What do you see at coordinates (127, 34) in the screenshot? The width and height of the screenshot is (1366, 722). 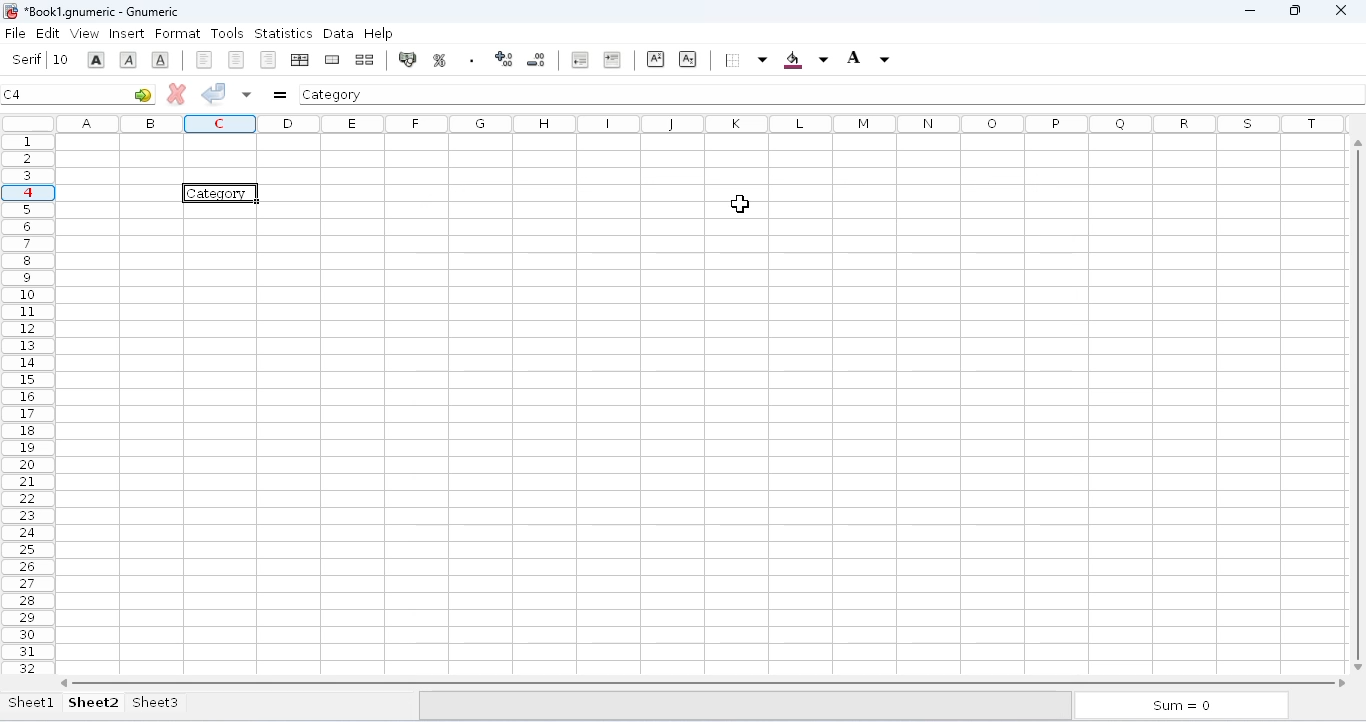 I see `insert` at bounding box center [127, 34].